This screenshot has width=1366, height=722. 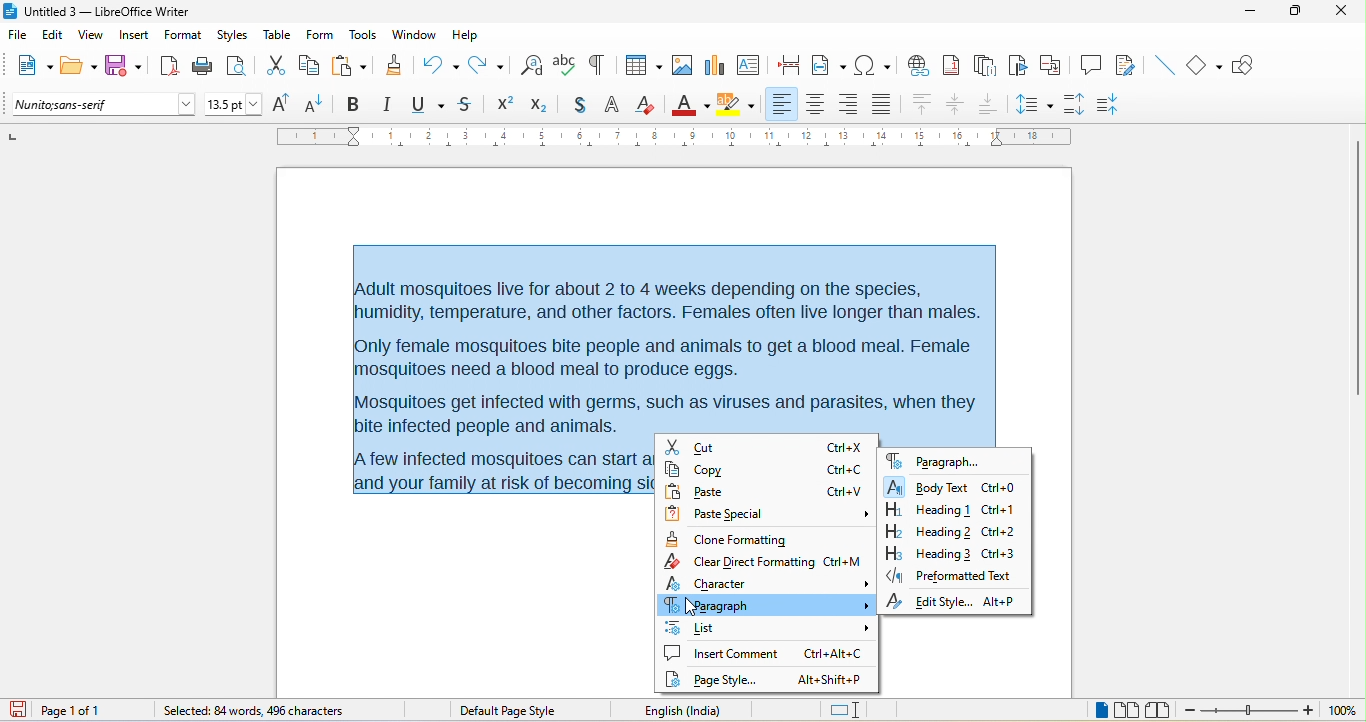 What do you see at coordinates (310, 67) in the screenshot?
I see `copy` at bounding box center [310, 67].